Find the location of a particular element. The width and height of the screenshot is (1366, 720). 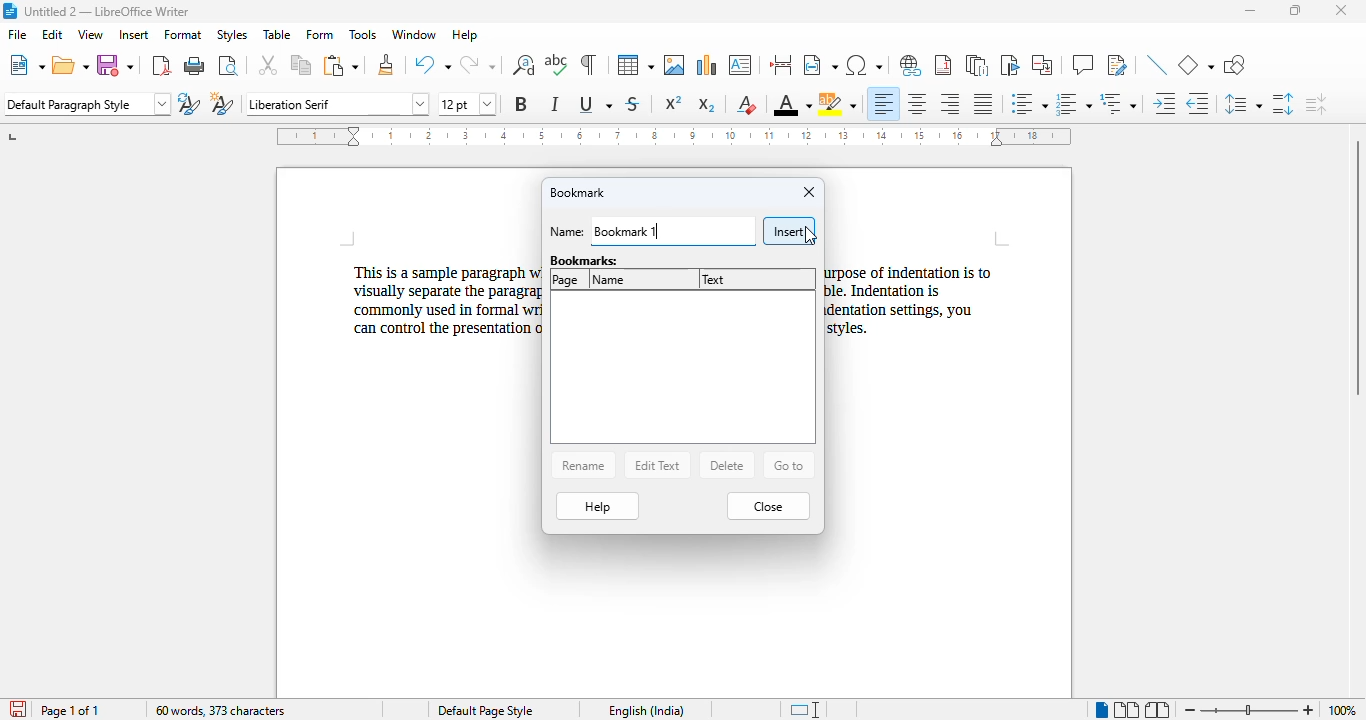

align center is located at coordinates (917, 104).